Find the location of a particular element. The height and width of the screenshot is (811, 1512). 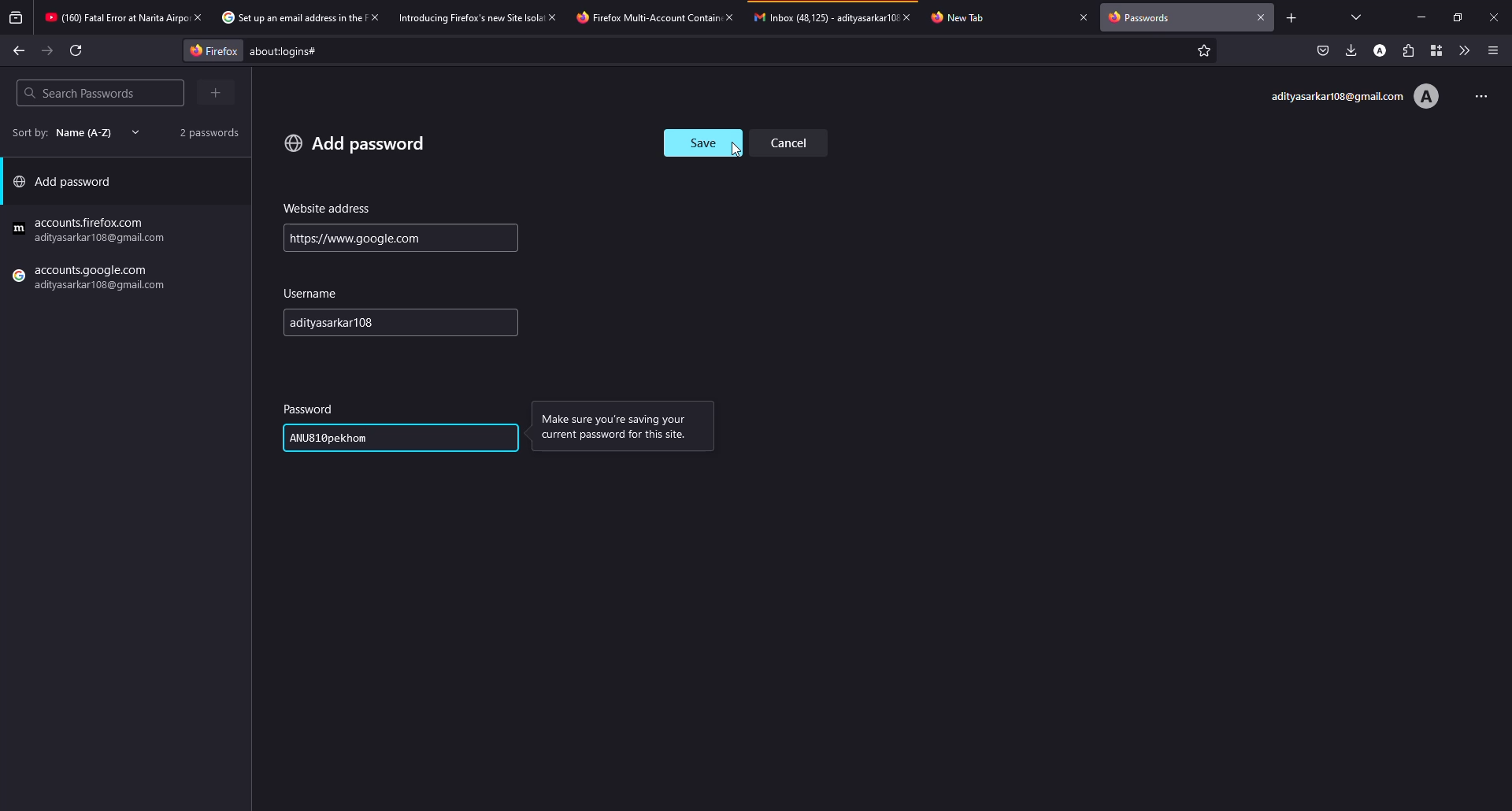

forward is located at coordinates (48, 51).